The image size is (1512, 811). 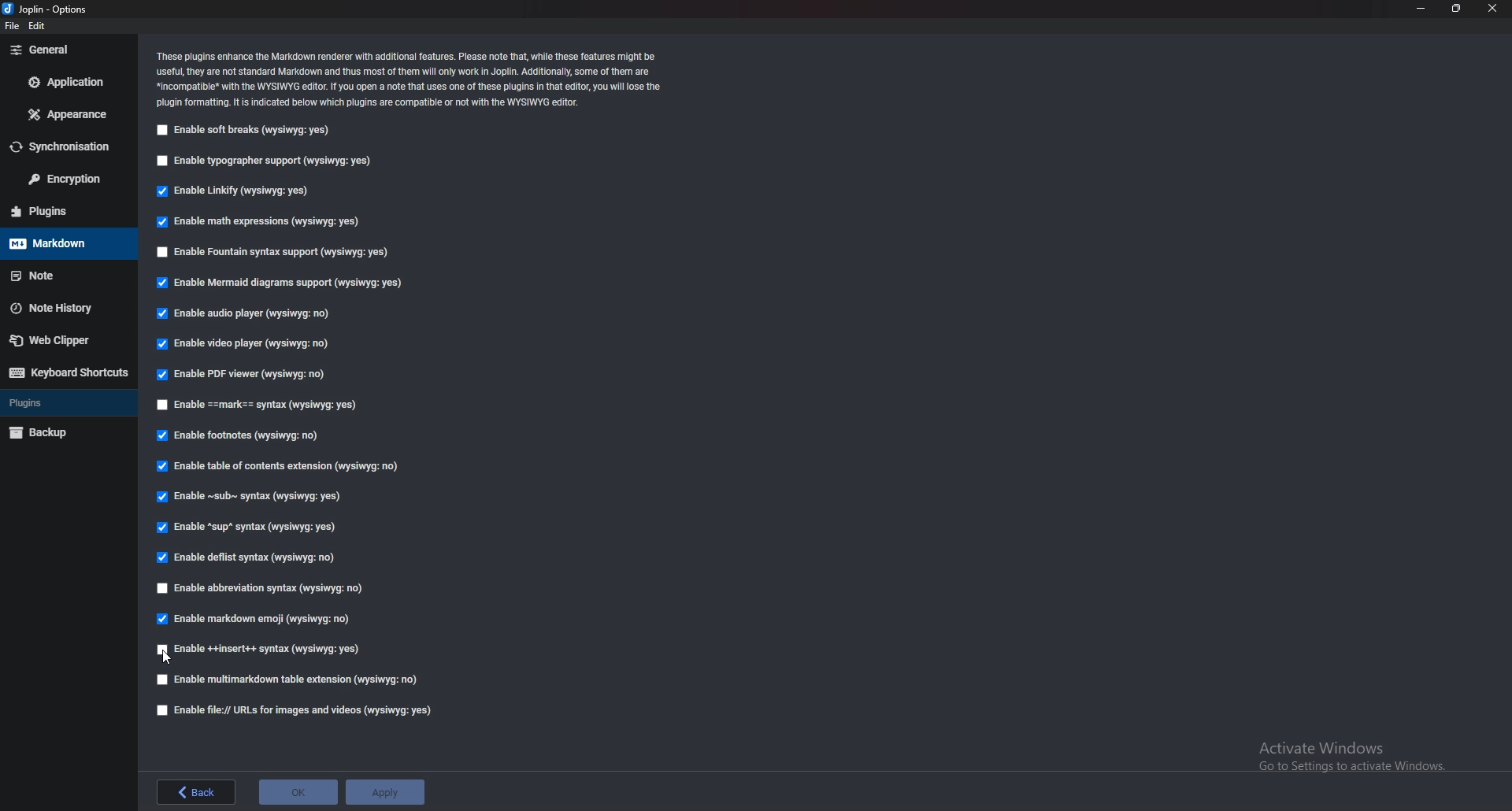 I want to click on Webclipper, so click(x=62, y=339).